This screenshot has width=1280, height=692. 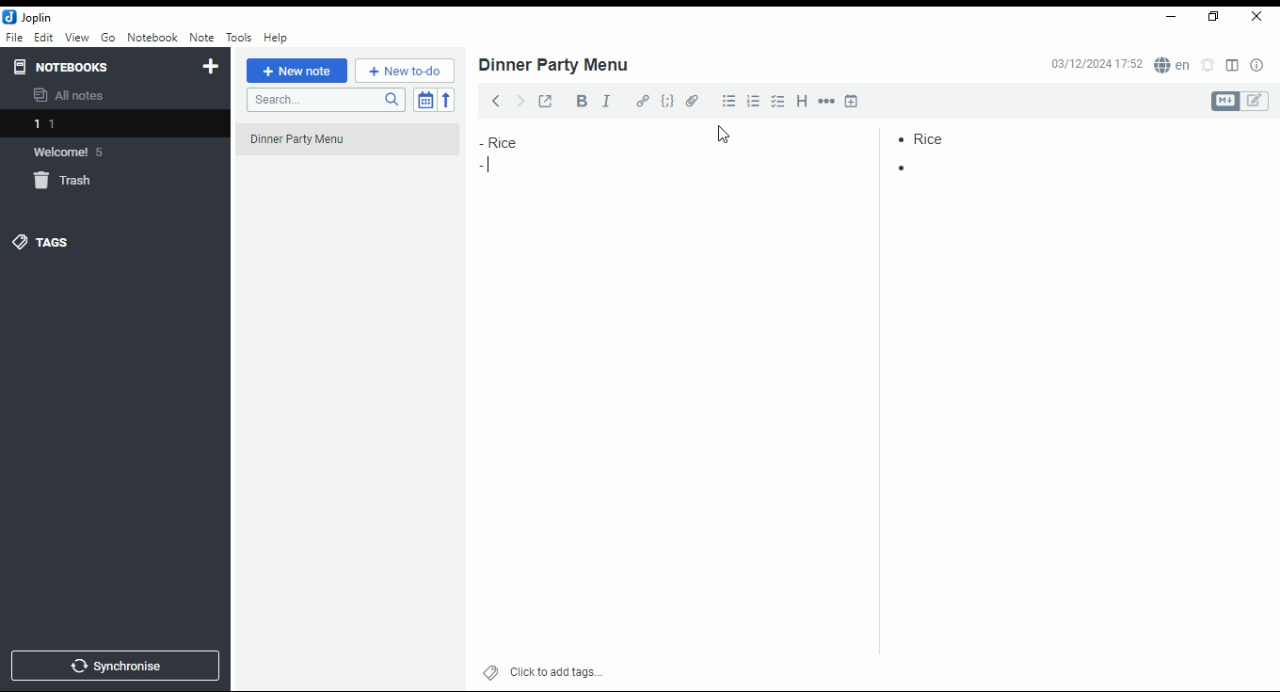 I want to click on rice, so click(x=946, y=136).